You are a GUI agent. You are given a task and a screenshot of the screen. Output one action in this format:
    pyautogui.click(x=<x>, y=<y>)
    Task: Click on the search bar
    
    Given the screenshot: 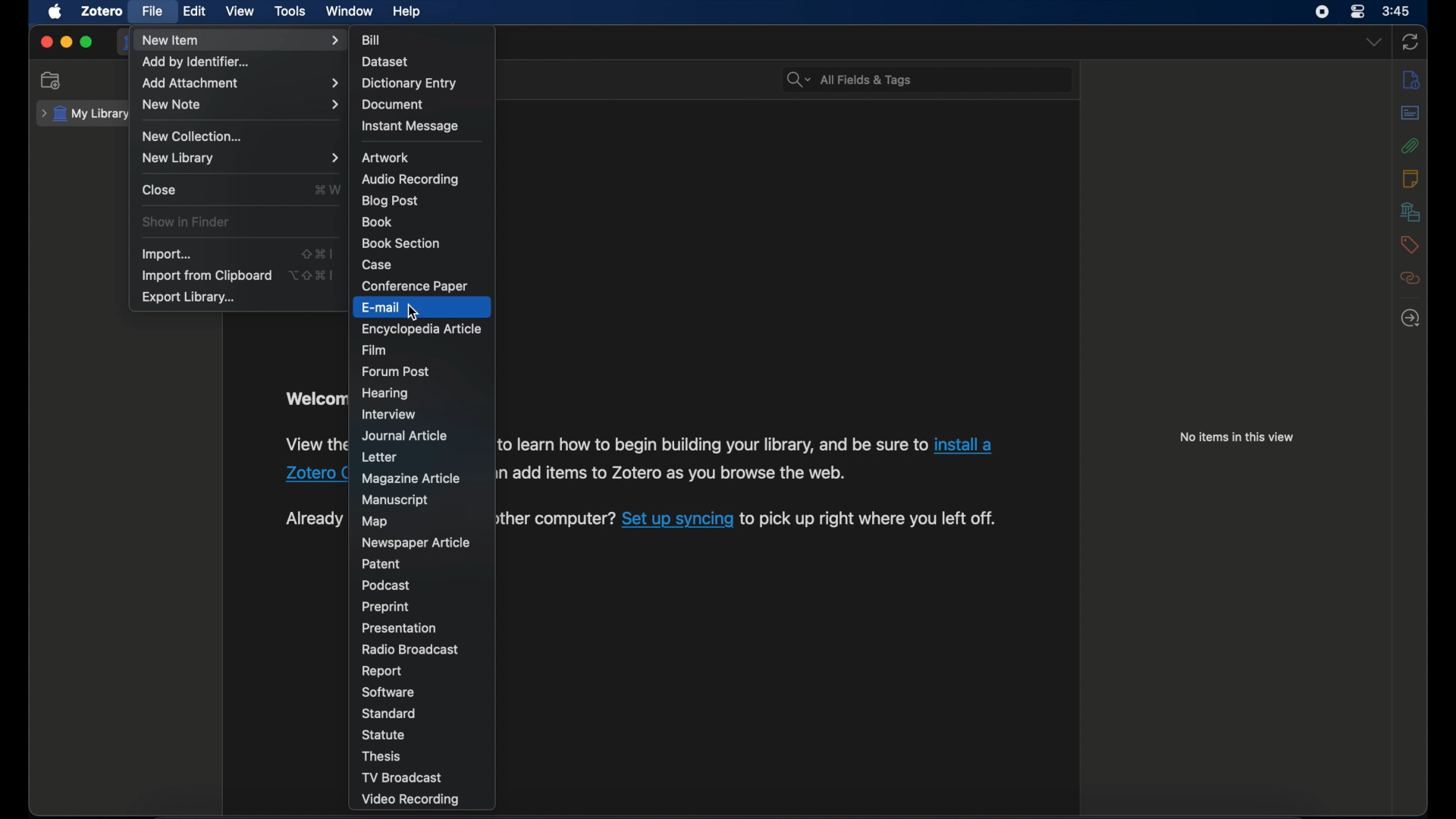 What is the action you would take?
    pyautogui.click(x=848, y=79)
    